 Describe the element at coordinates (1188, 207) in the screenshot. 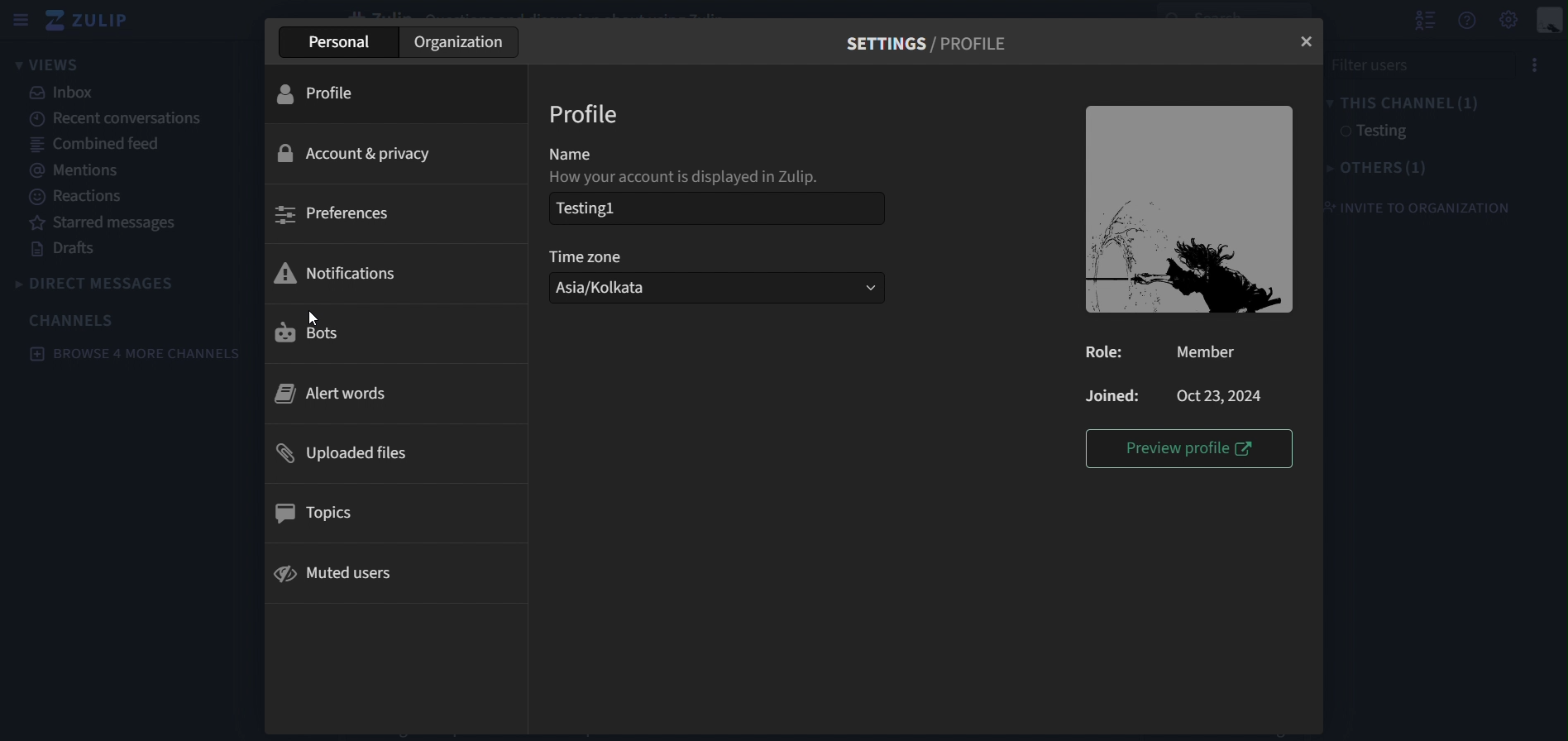

I see `image` at that location.